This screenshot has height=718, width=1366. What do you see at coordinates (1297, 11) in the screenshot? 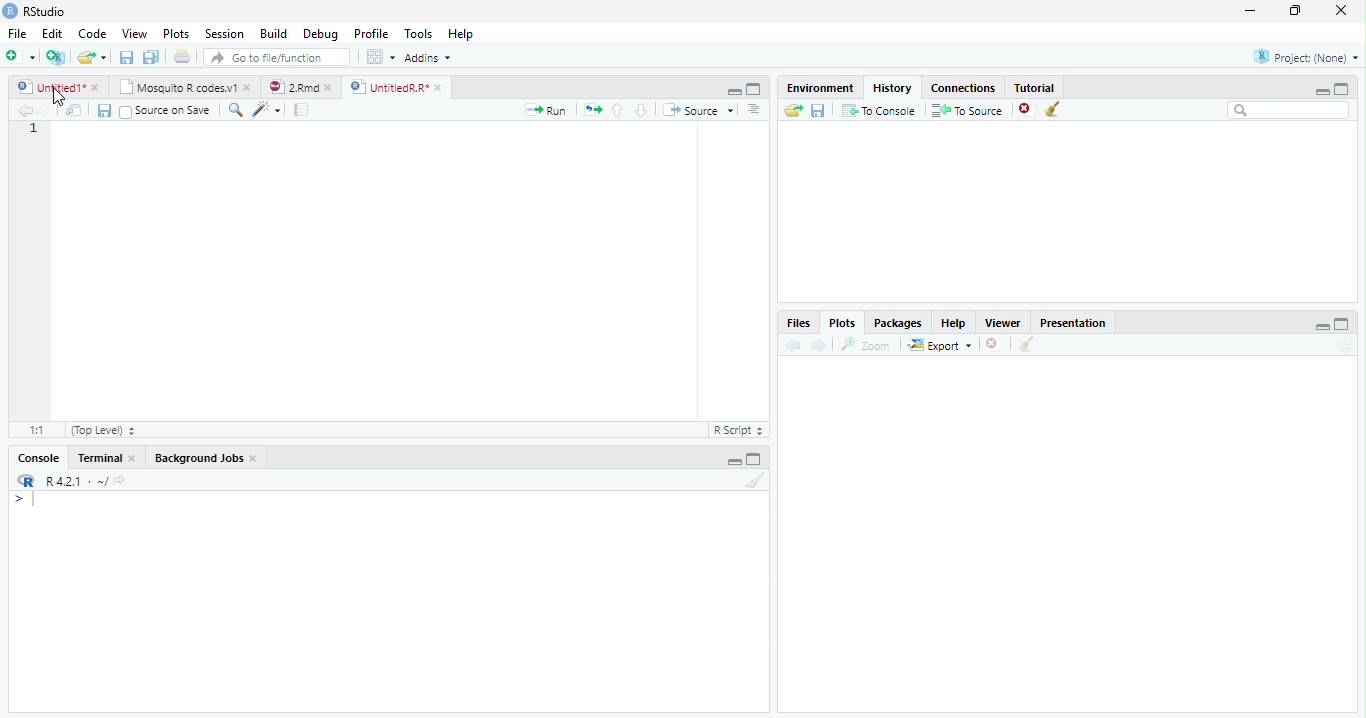
I see `Maximize` at bounding box center [1297, 11].